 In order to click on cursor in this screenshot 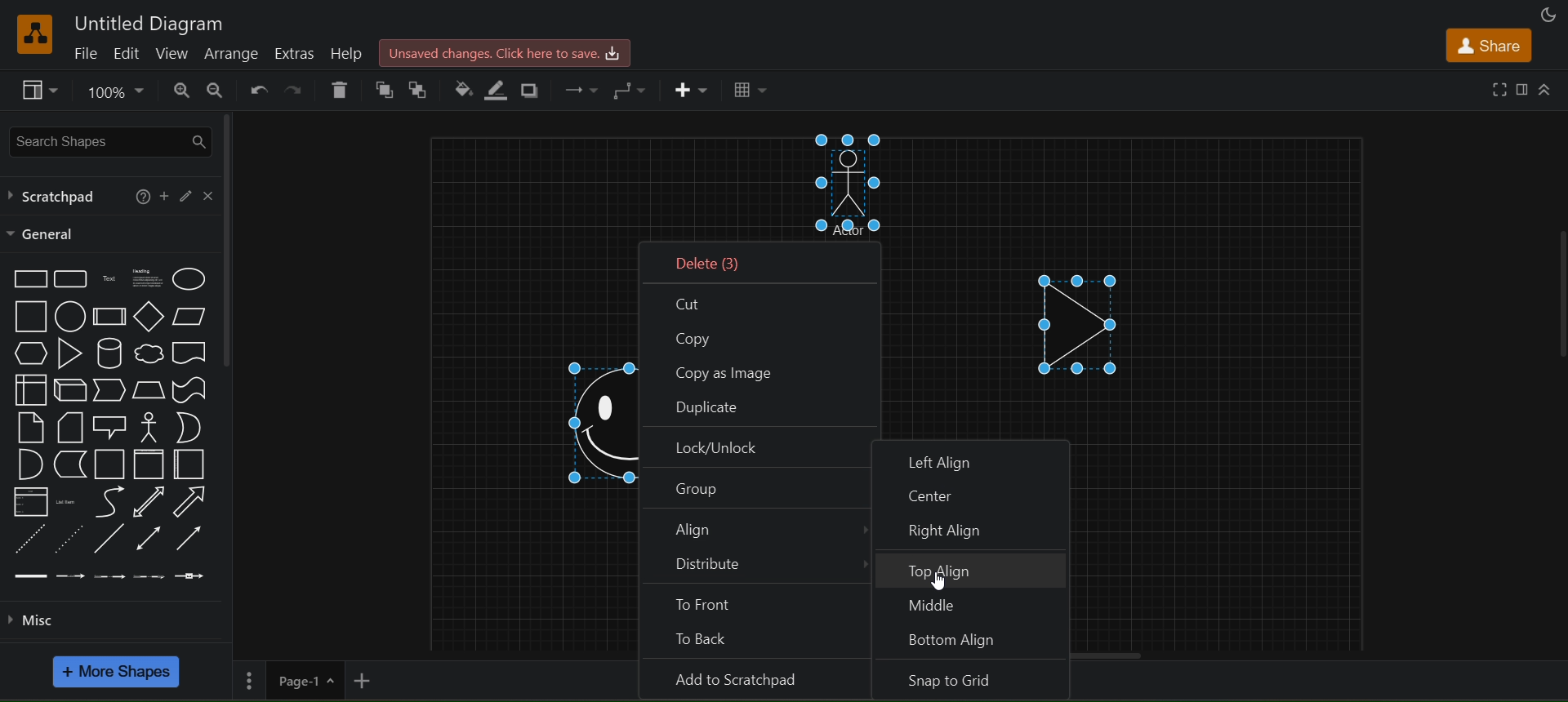, I will do `click(939, 583)`.